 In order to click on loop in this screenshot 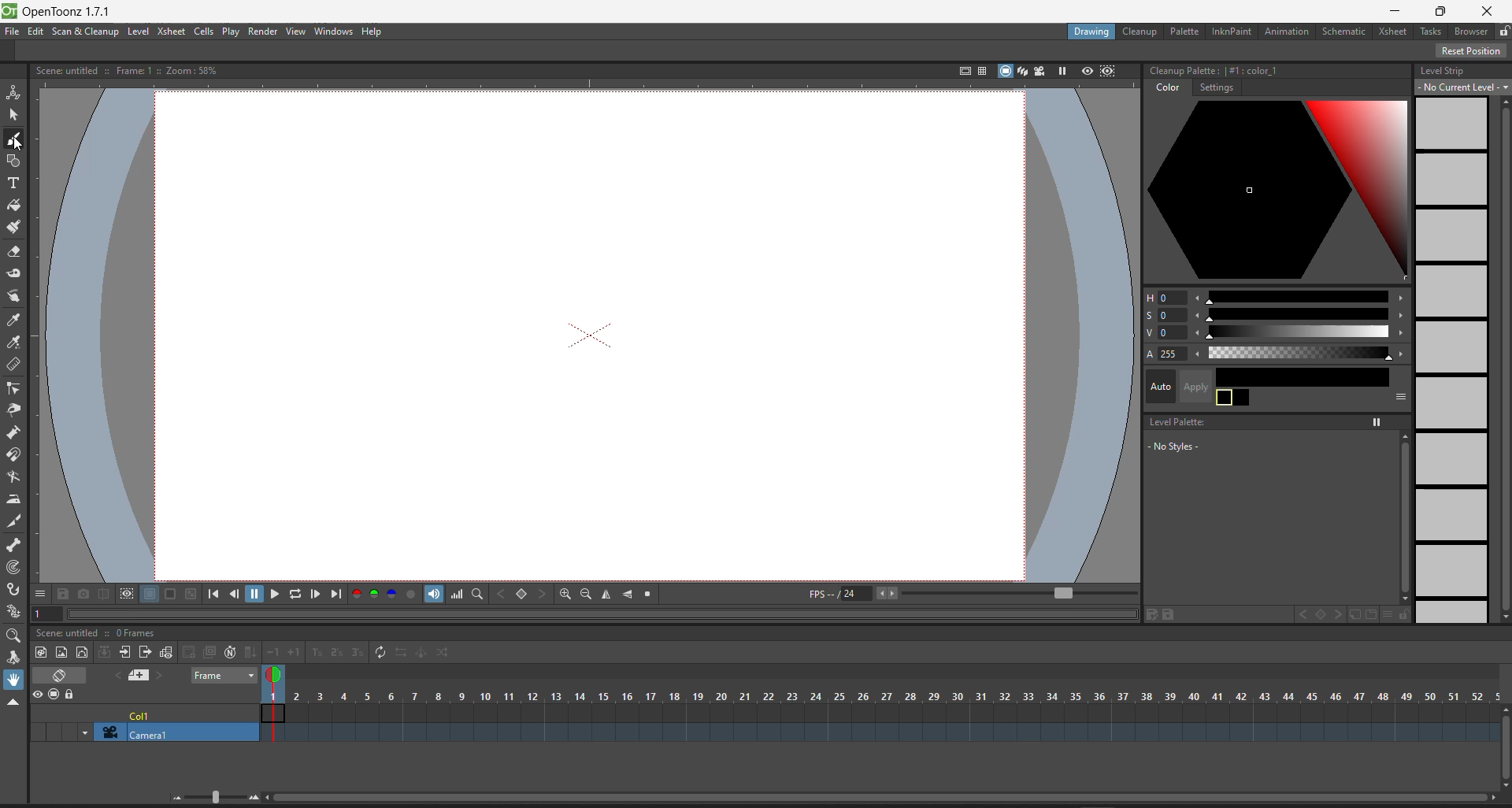, I will do `click(296, 594)`.